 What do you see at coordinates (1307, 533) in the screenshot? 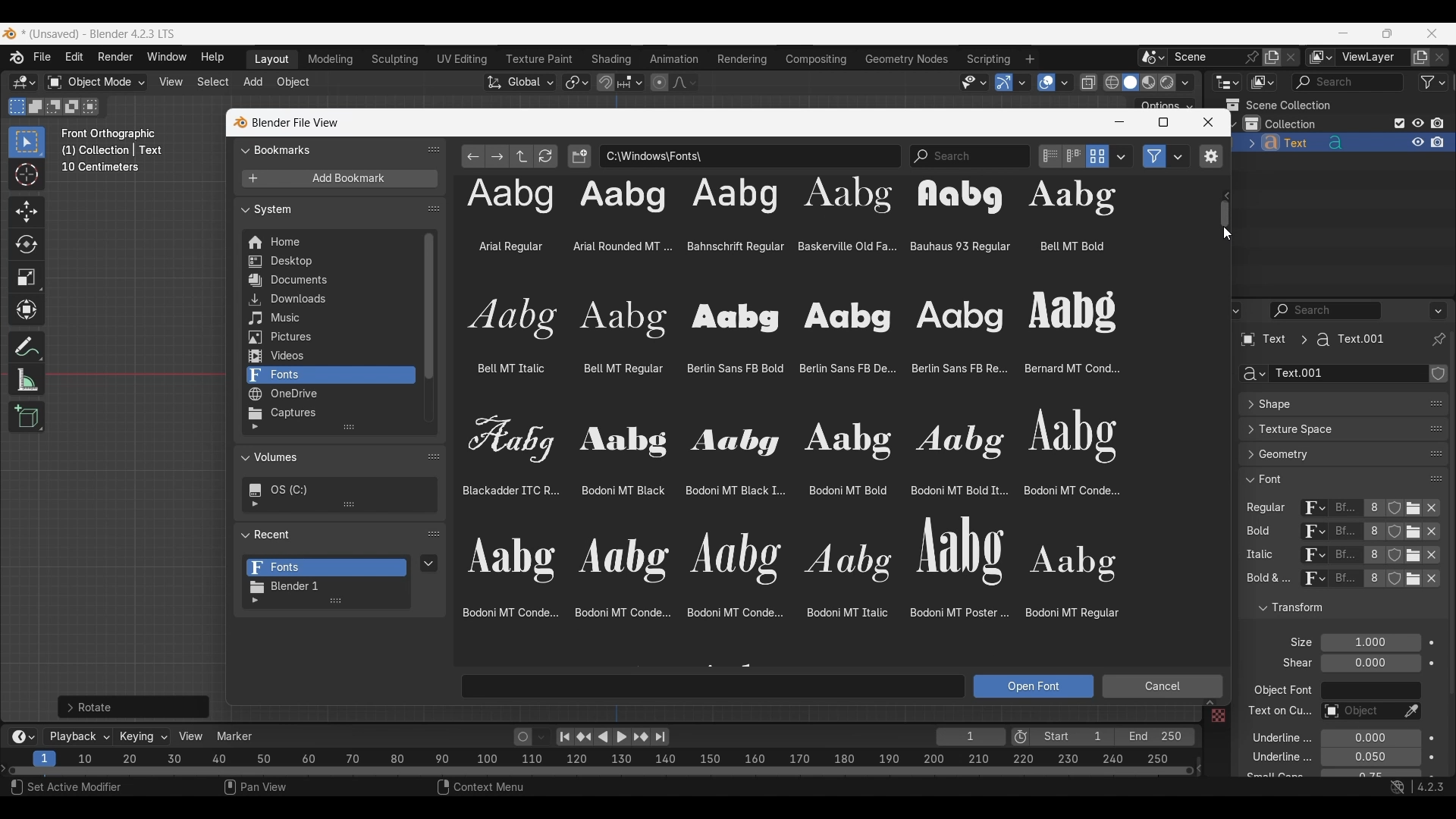
I see `Browse ID data` at bounding box center [1307, 533].